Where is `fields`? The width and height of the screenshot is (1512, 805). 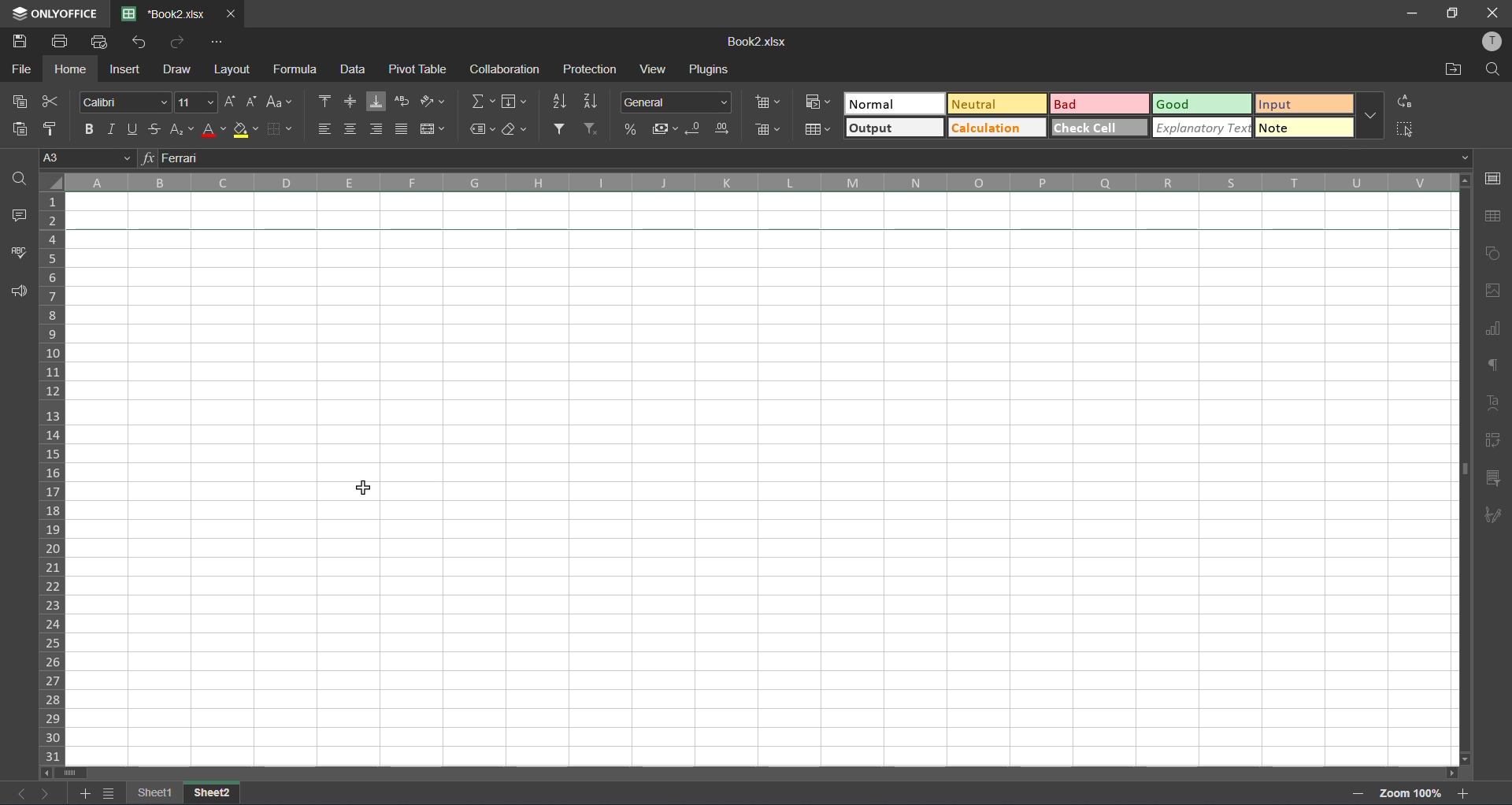
fields is located at coordinates (517, 101).